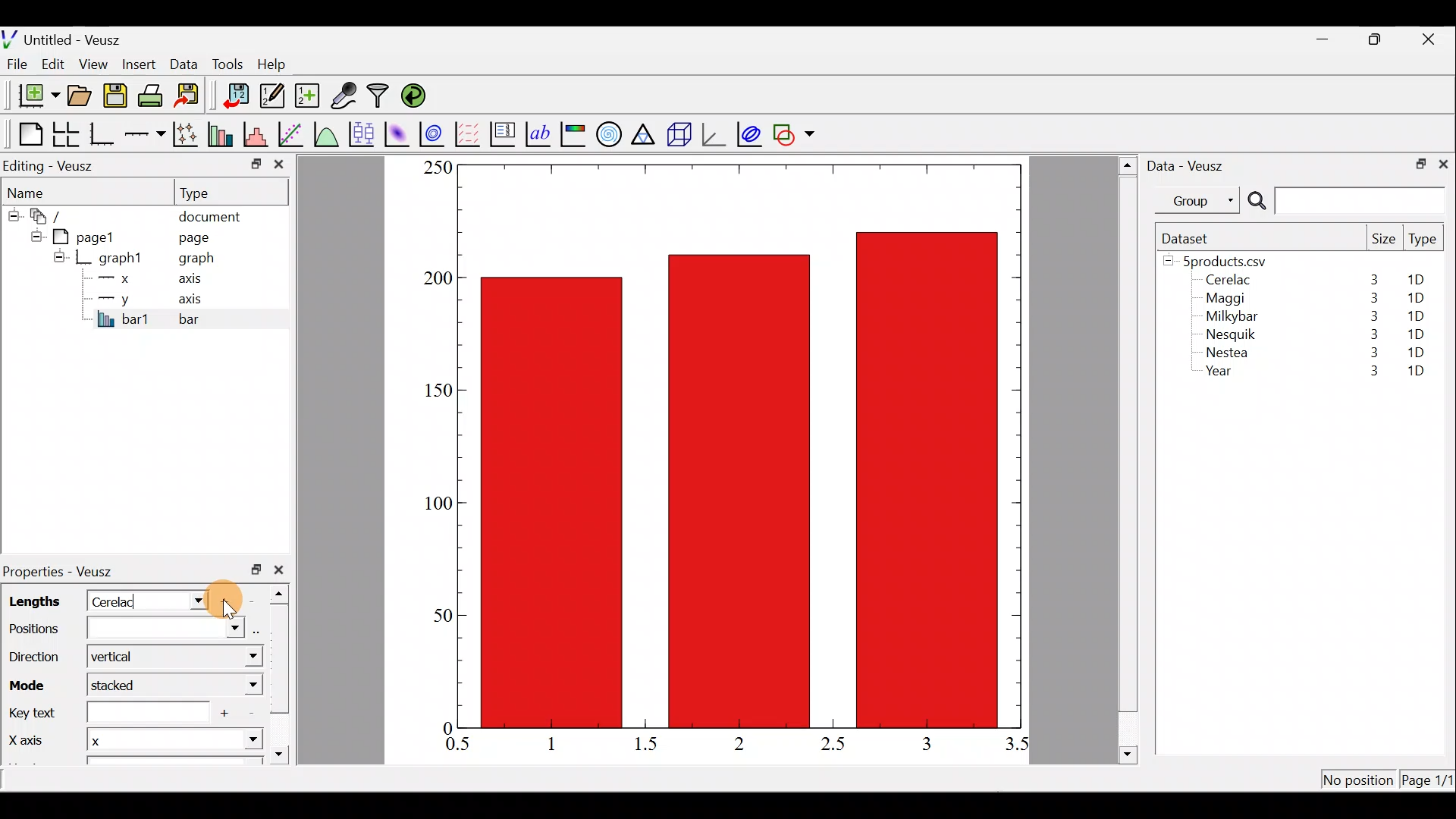 The height and width of the screenshot is (819, 1456). Describe the element at coordinates (124, 686) in the screenshot. I see `stacked` at that location.